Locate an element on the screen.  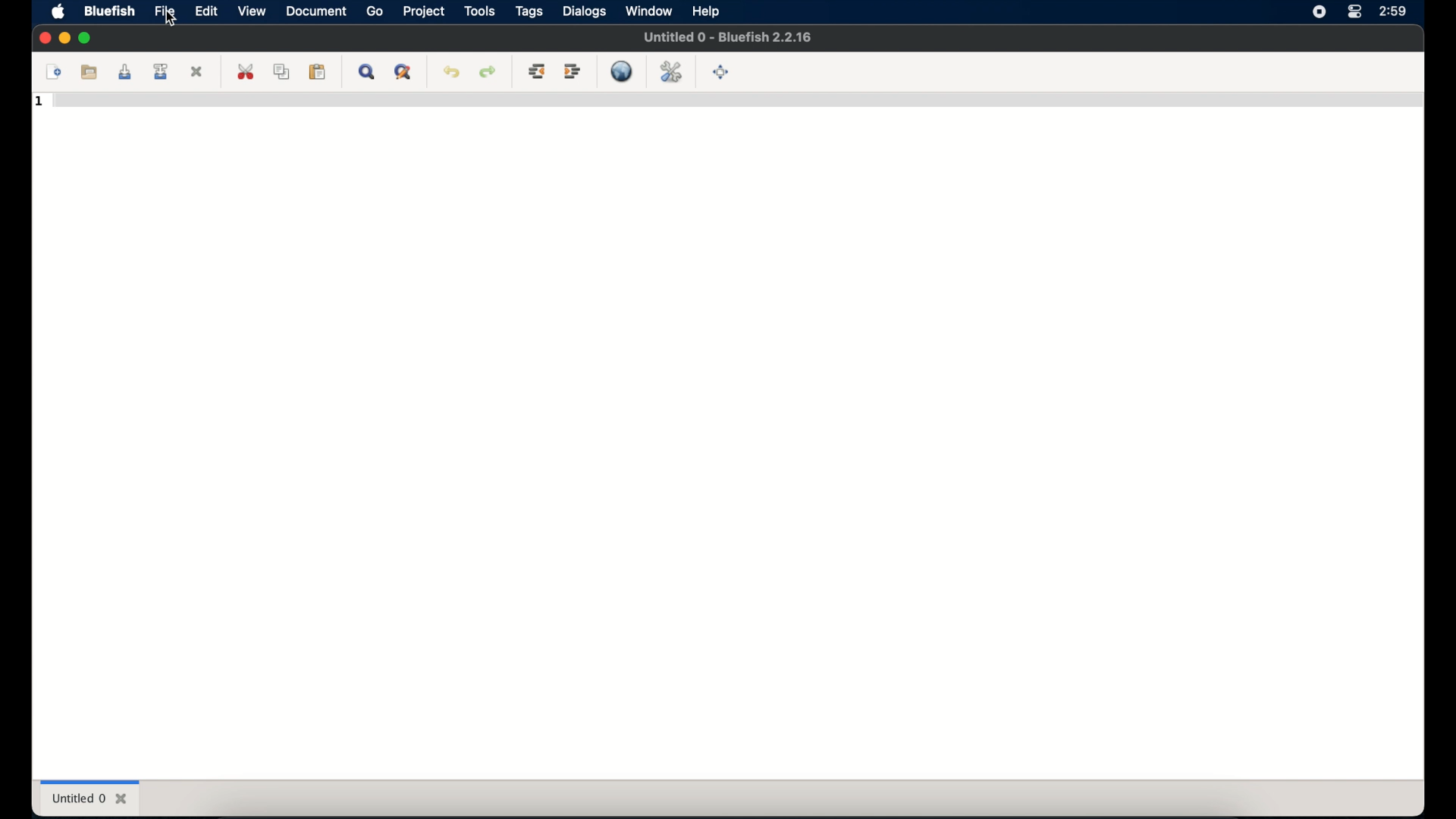
paste is located at coordinates (318, 72).